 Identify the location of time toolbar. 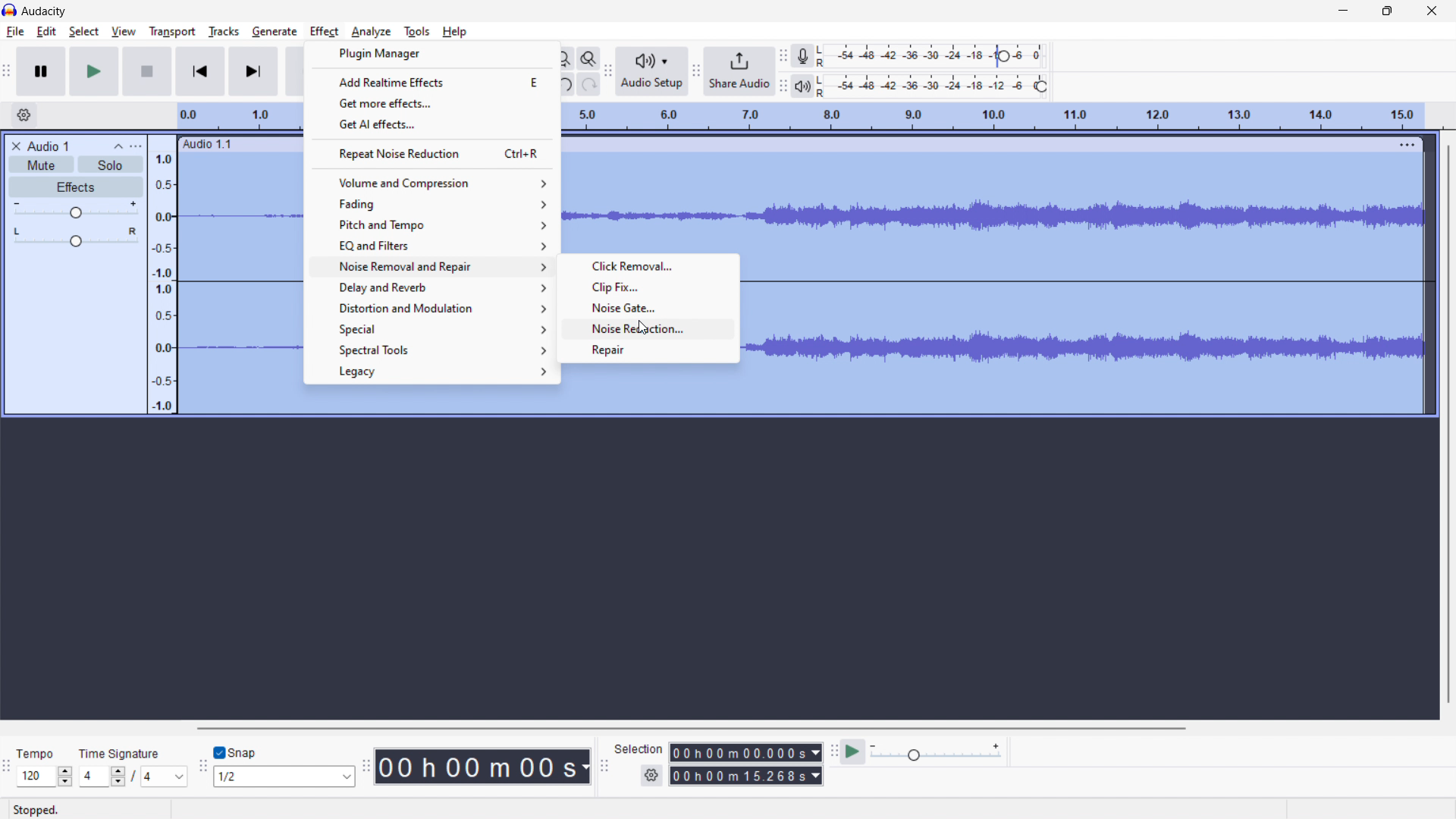
(366, 764).